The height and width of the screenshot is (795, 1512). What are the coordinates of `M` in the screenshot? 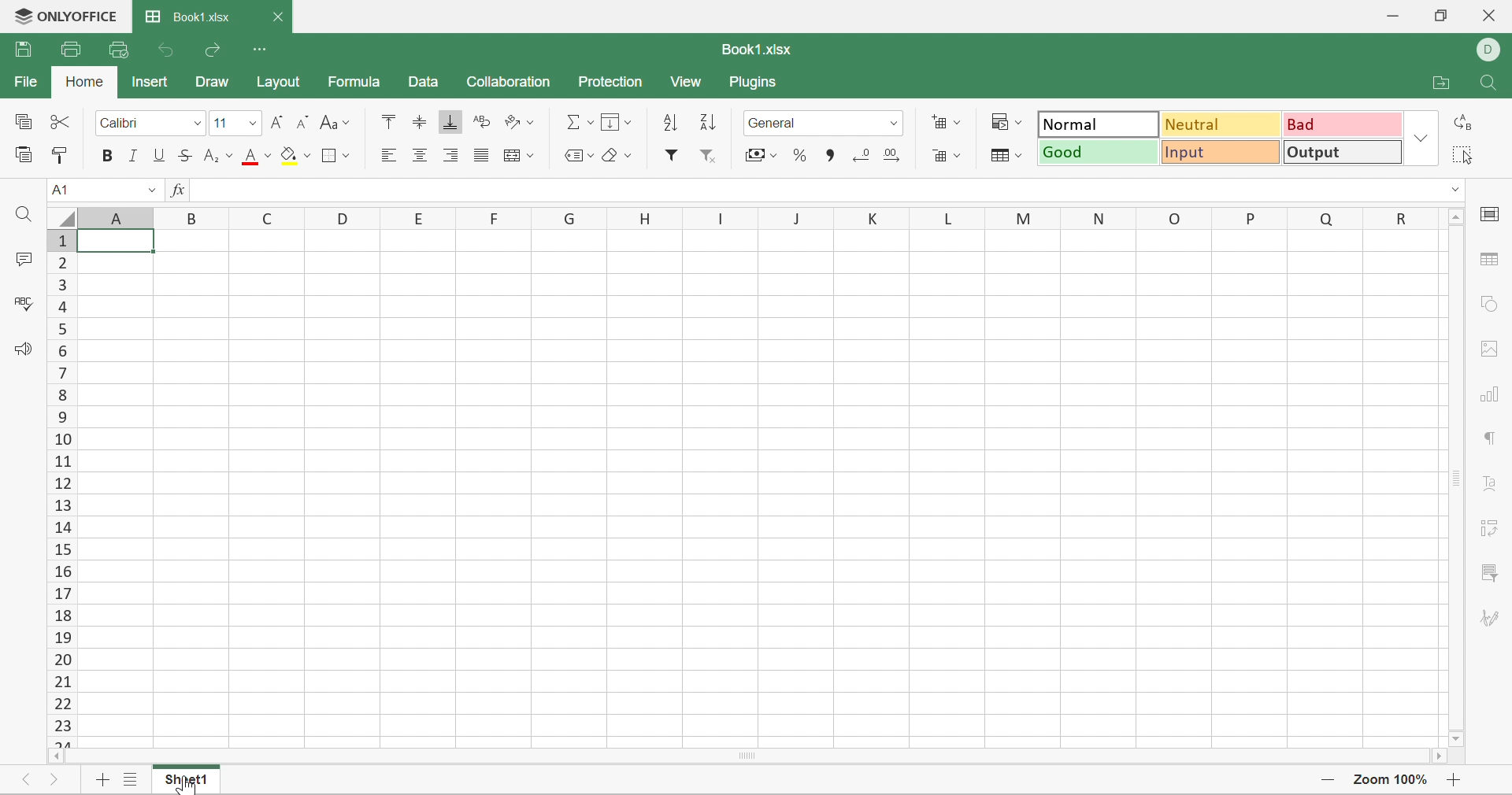 It's located at (1012, 216).